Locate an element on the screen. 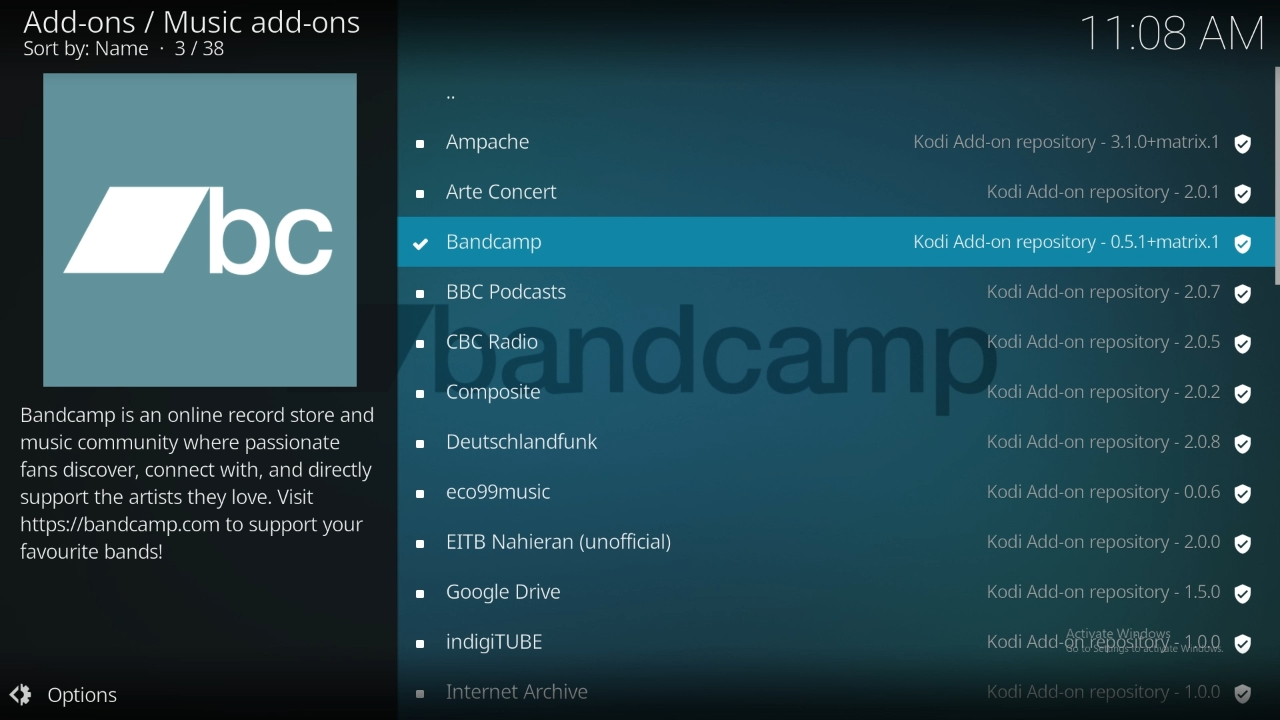  addon is located at coordinates (829, 193).